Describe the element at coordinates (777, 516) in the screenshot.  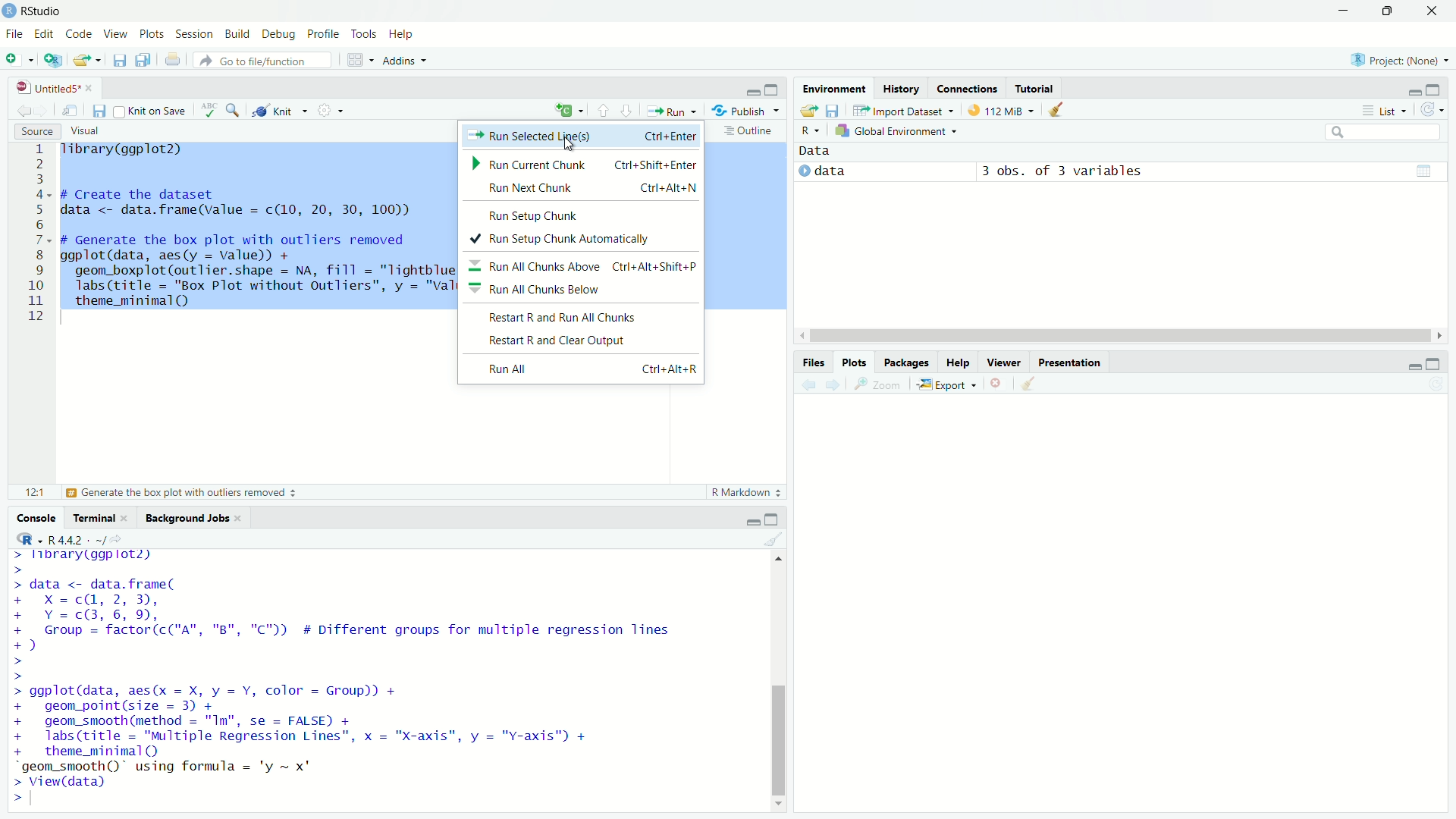
I see `maximise` at that location.